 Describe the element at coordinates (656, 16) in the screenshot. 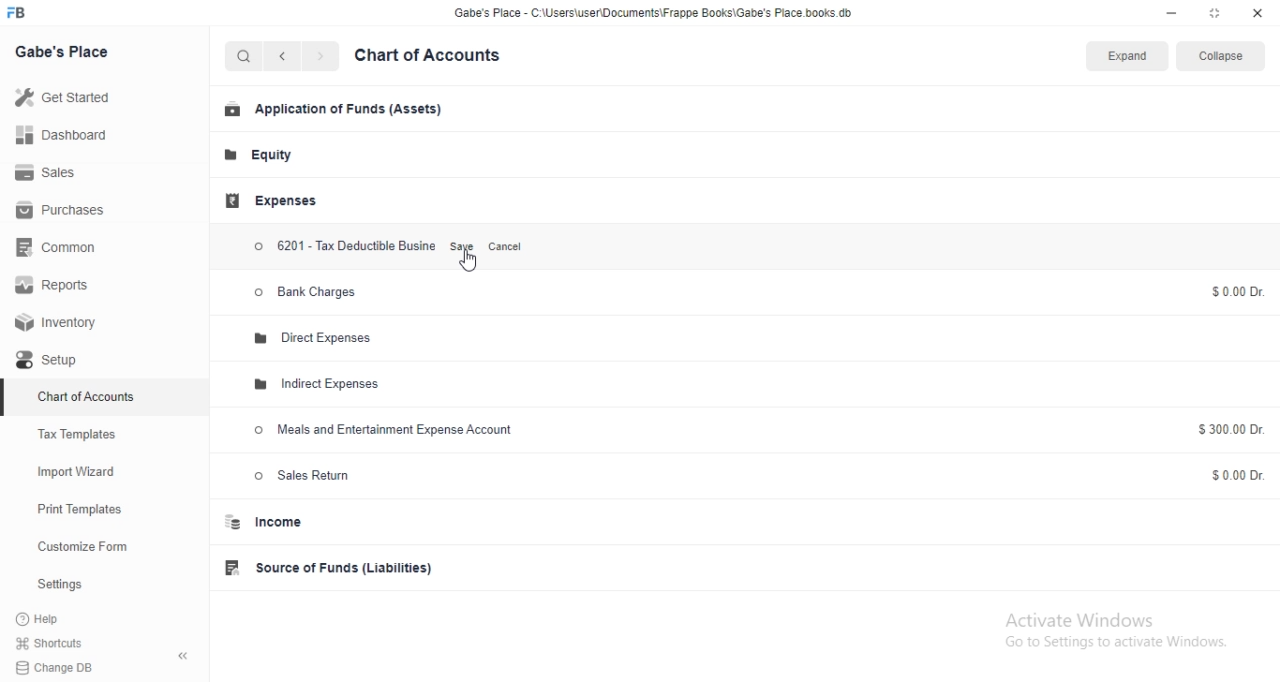

I see `Gabe's Place - C\Users\userDocuments\Frappe Books\Gabe's Place.books.db.` at that location.